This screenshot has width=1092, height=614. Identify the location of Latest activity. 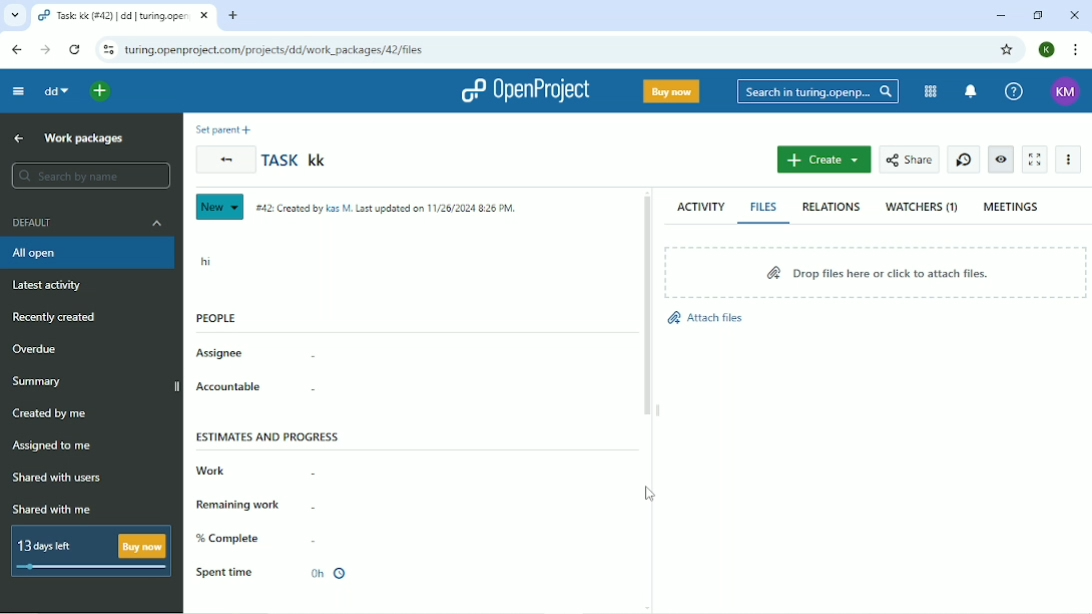
(51, 287).